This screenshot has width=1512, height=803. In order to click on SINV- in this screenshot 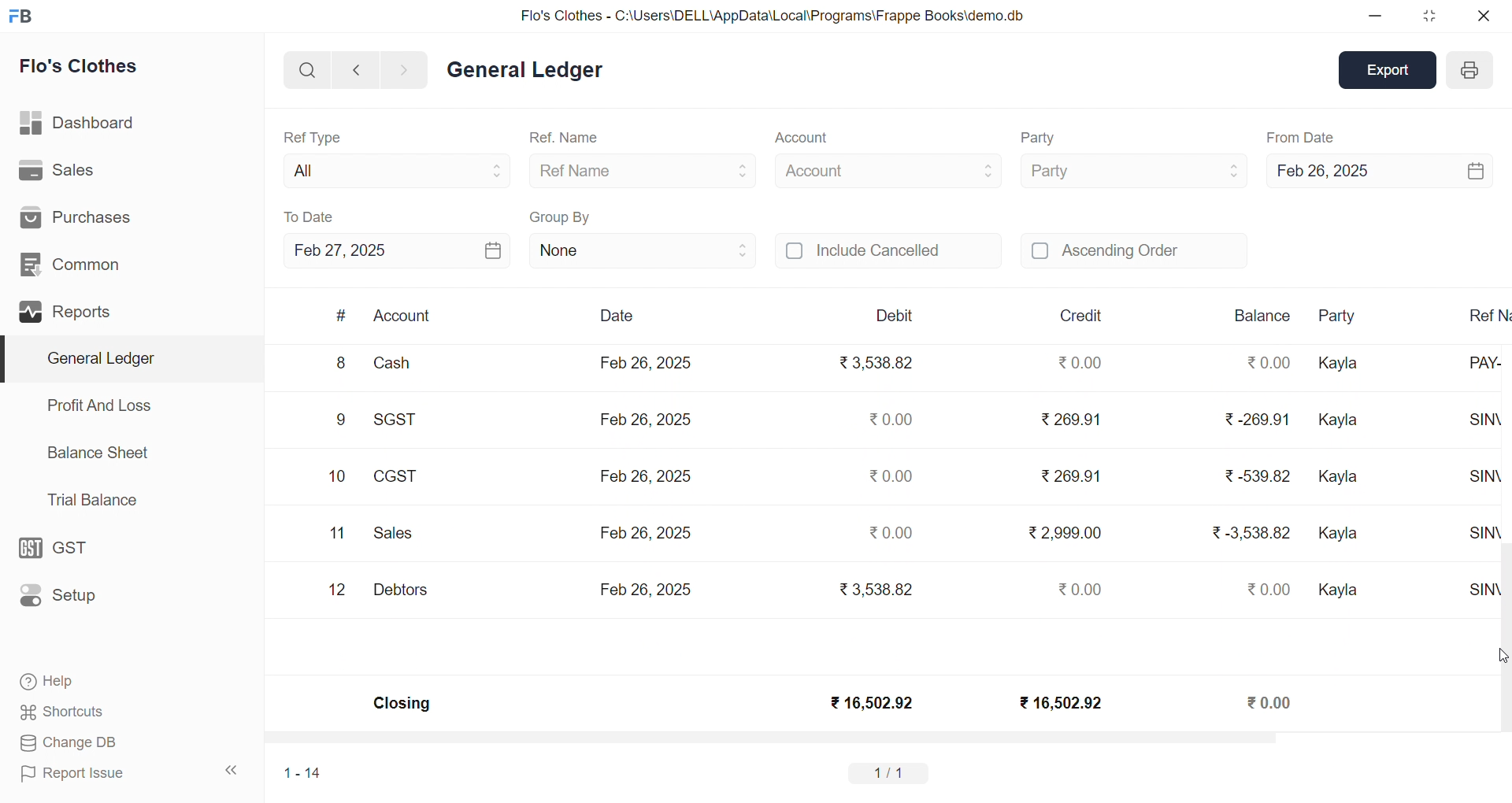, I will do `click(1489, 426)`.